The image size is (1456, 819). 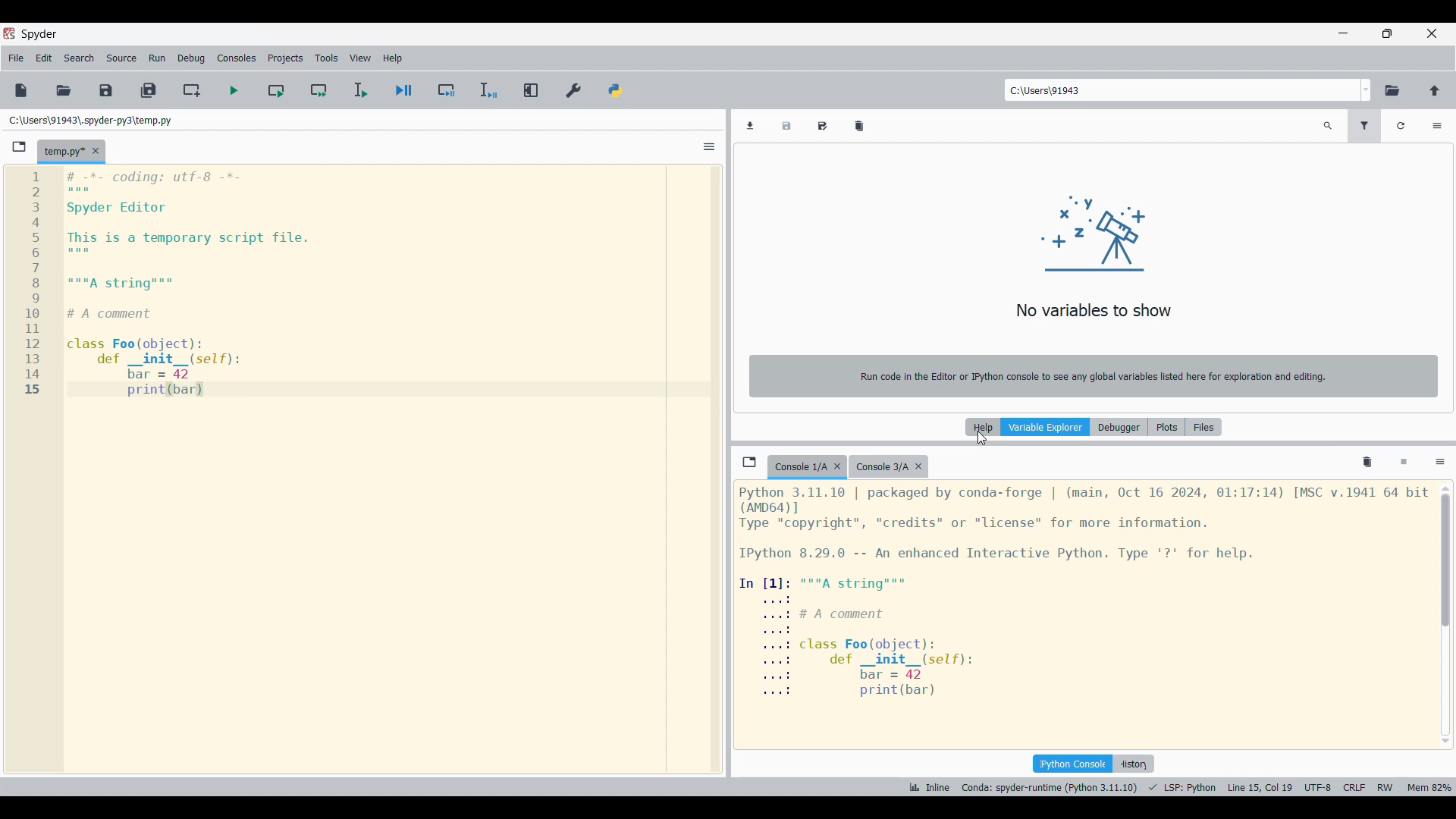 I want to click on Search variables by names and types, so click(x=1327, y=127).